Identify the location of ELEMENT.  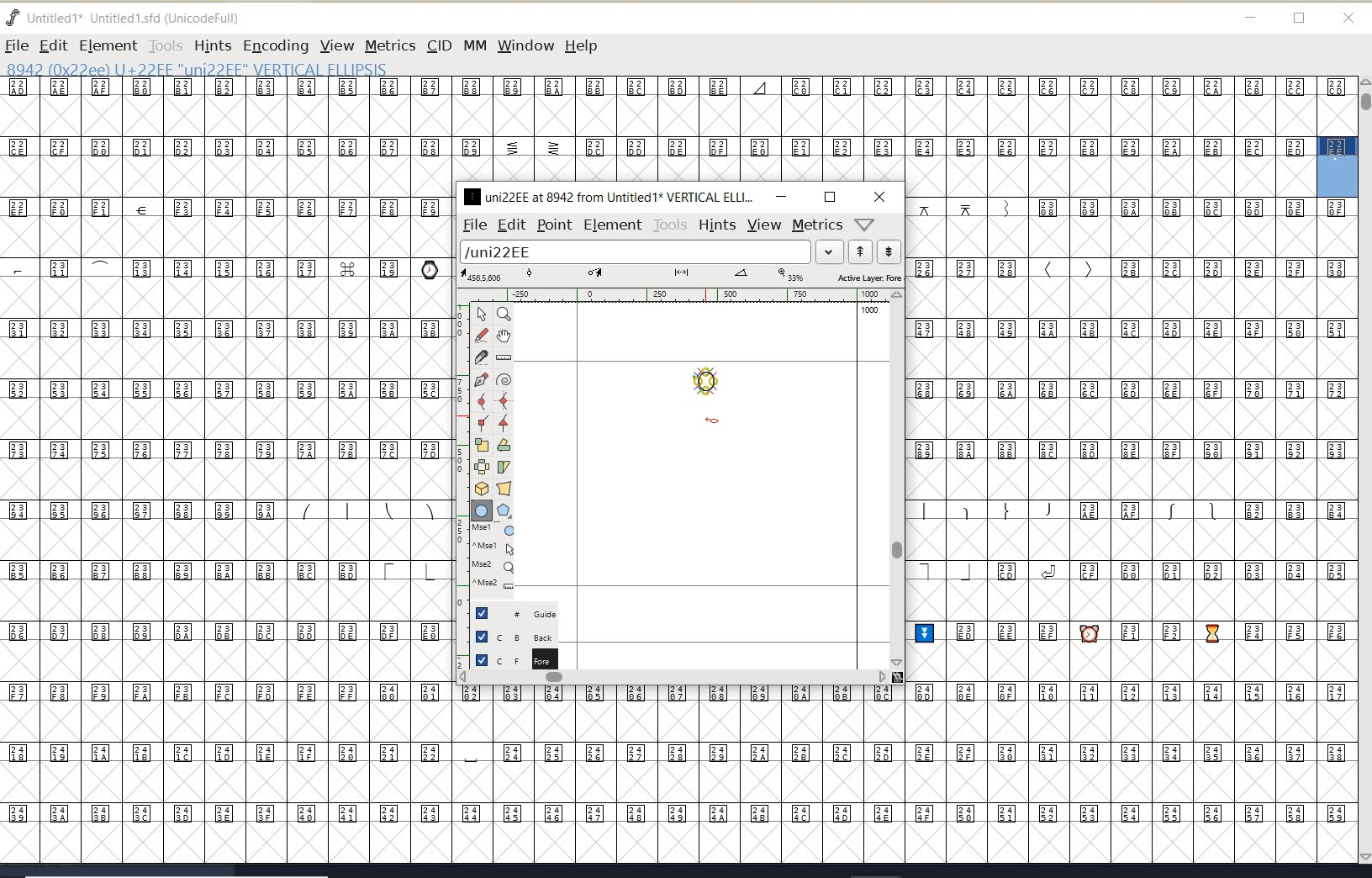
(108, 45).